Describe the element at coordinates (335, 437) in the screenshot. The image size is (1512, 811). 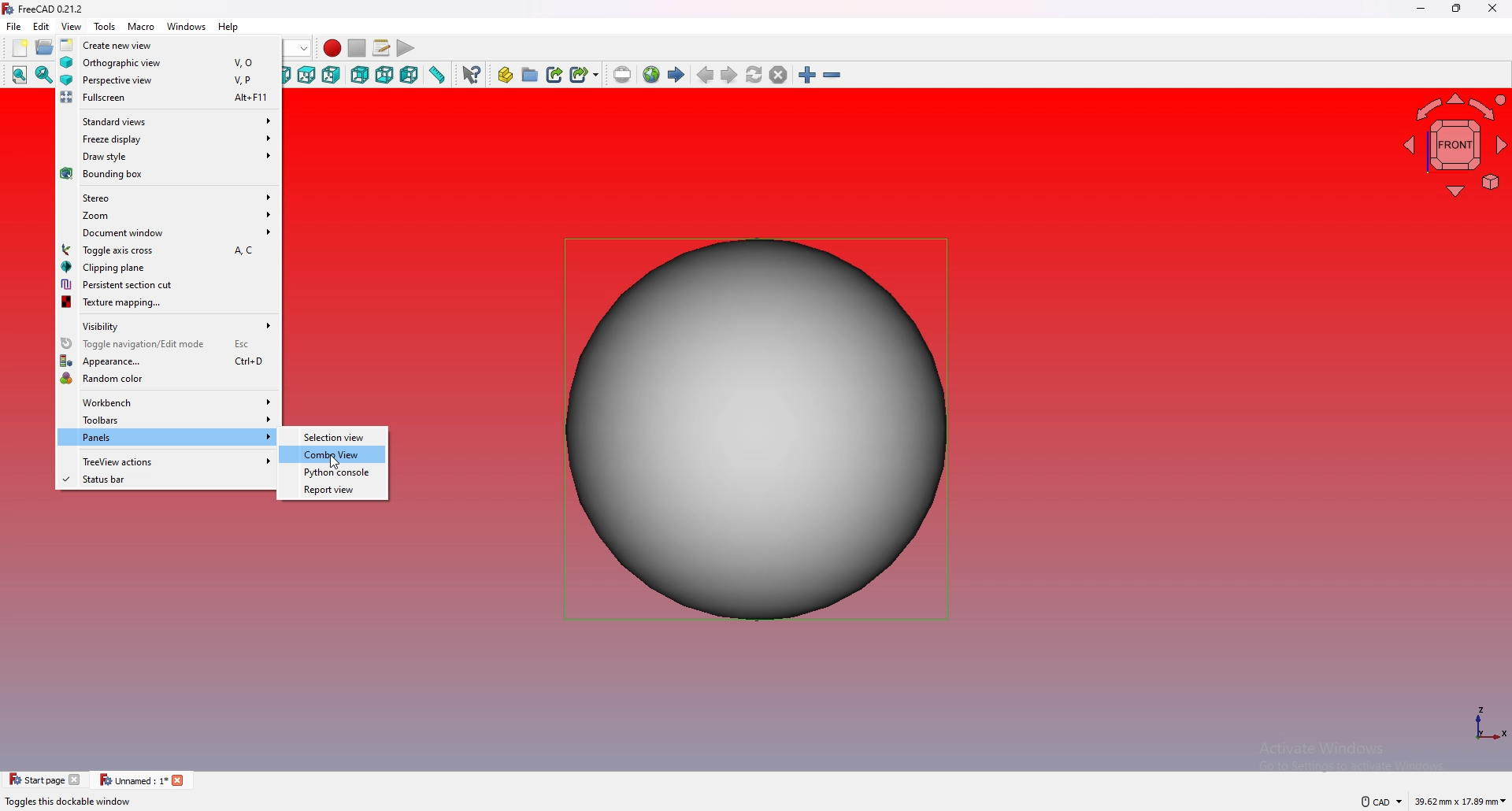
I see `selection view` at that location.